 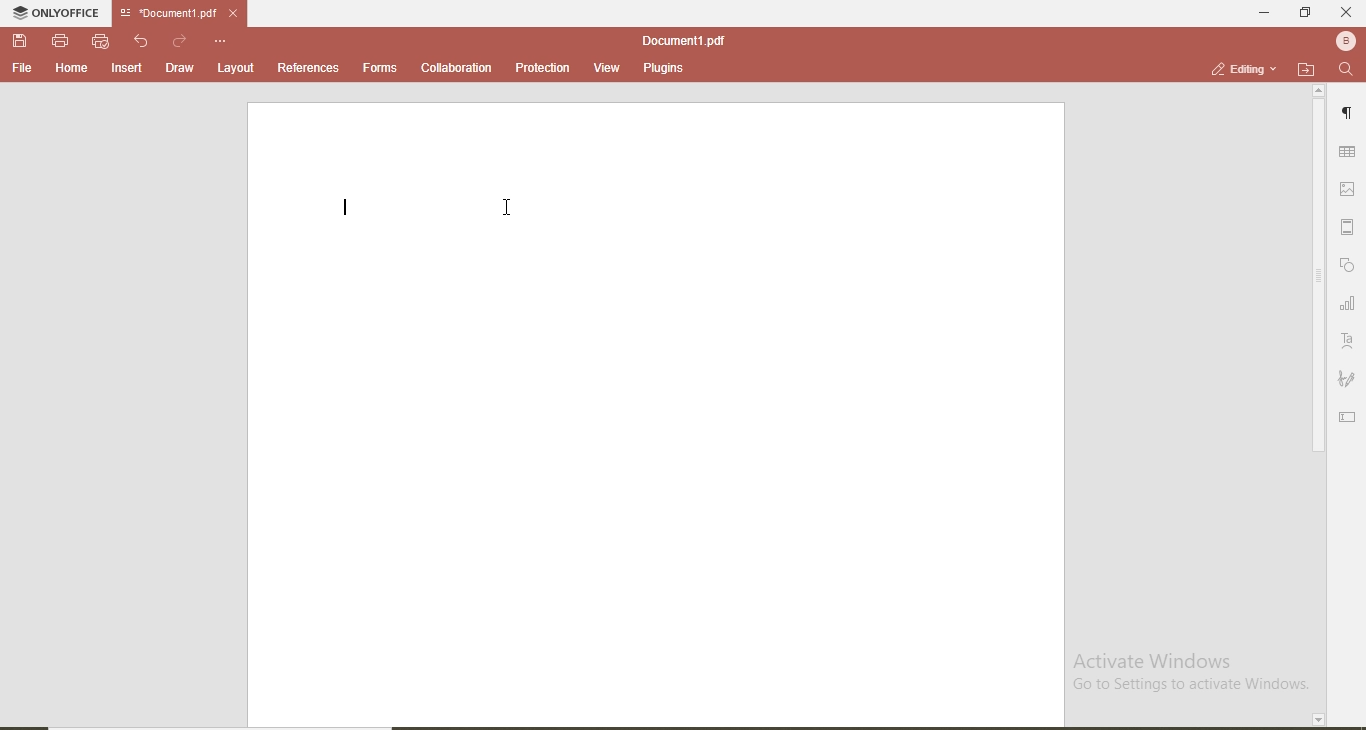 What do you see at coordinates (178, 37) in the screenshot?
I see `redo` at bounding box center [178, 37].